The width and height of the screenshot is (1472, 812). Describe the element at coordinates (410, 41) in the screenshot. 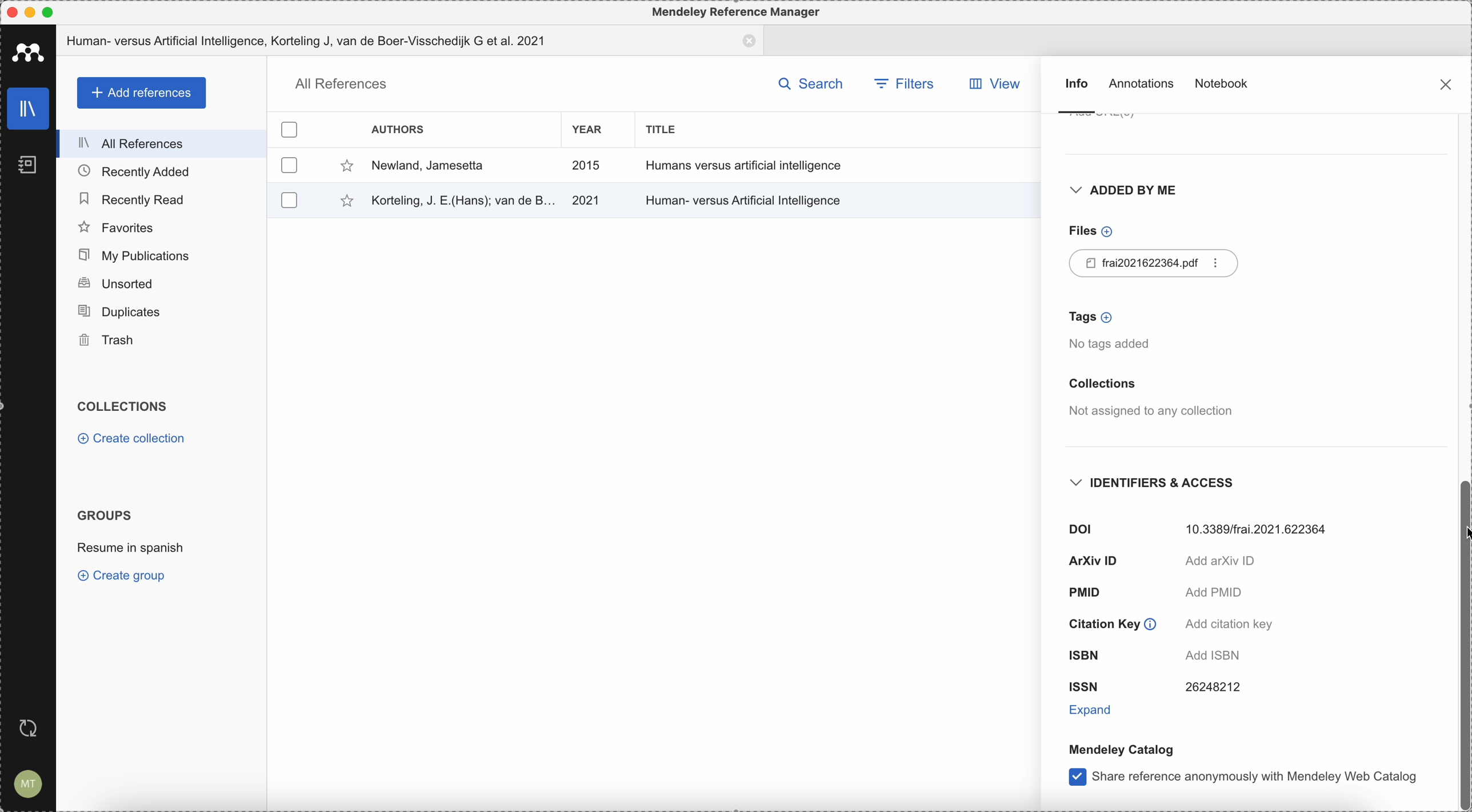

I see `tab document opened` at that location.